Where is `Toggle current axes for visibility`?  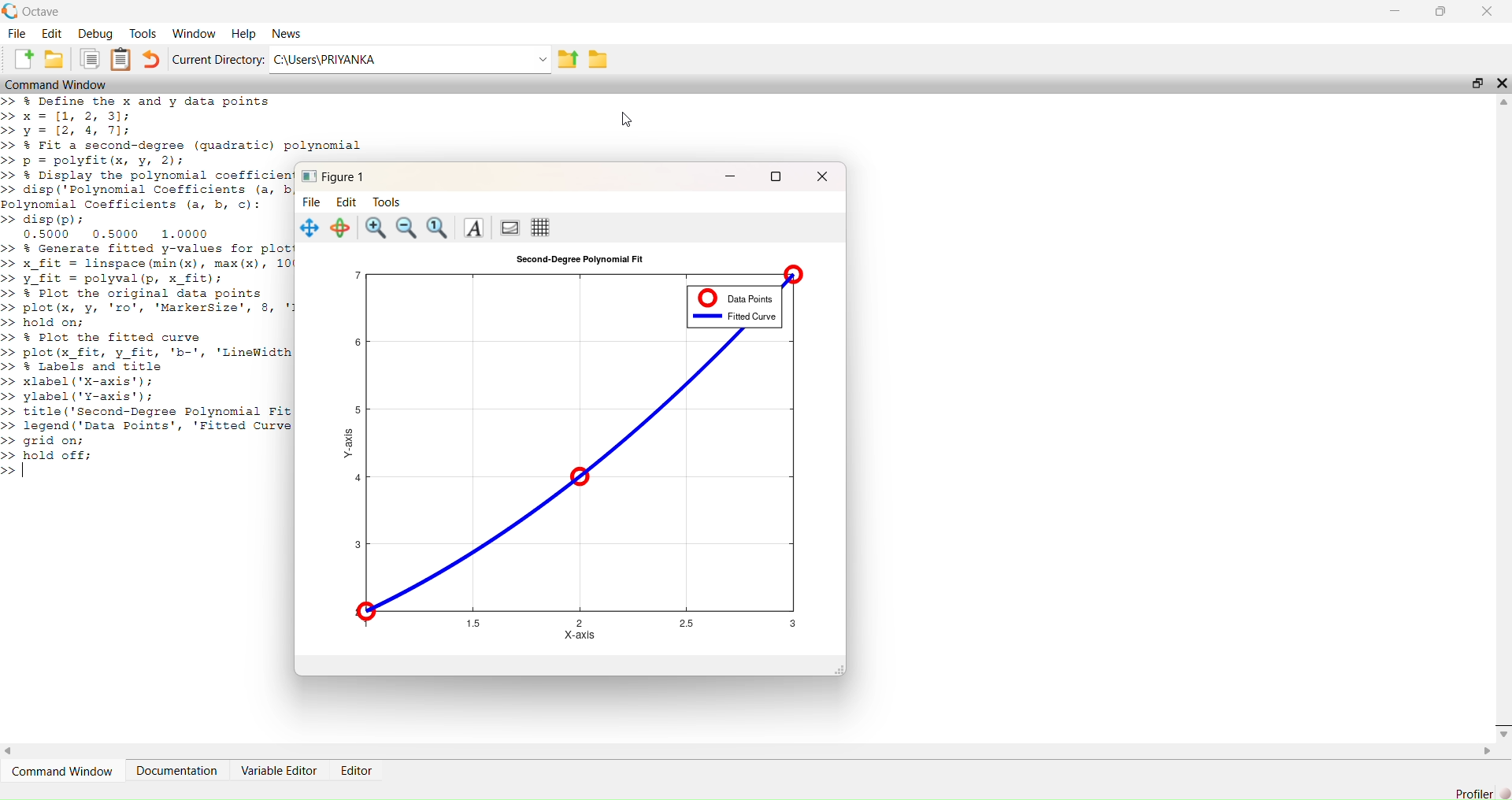
Toggle current axes for visibility is located at coordinates (510, 228).